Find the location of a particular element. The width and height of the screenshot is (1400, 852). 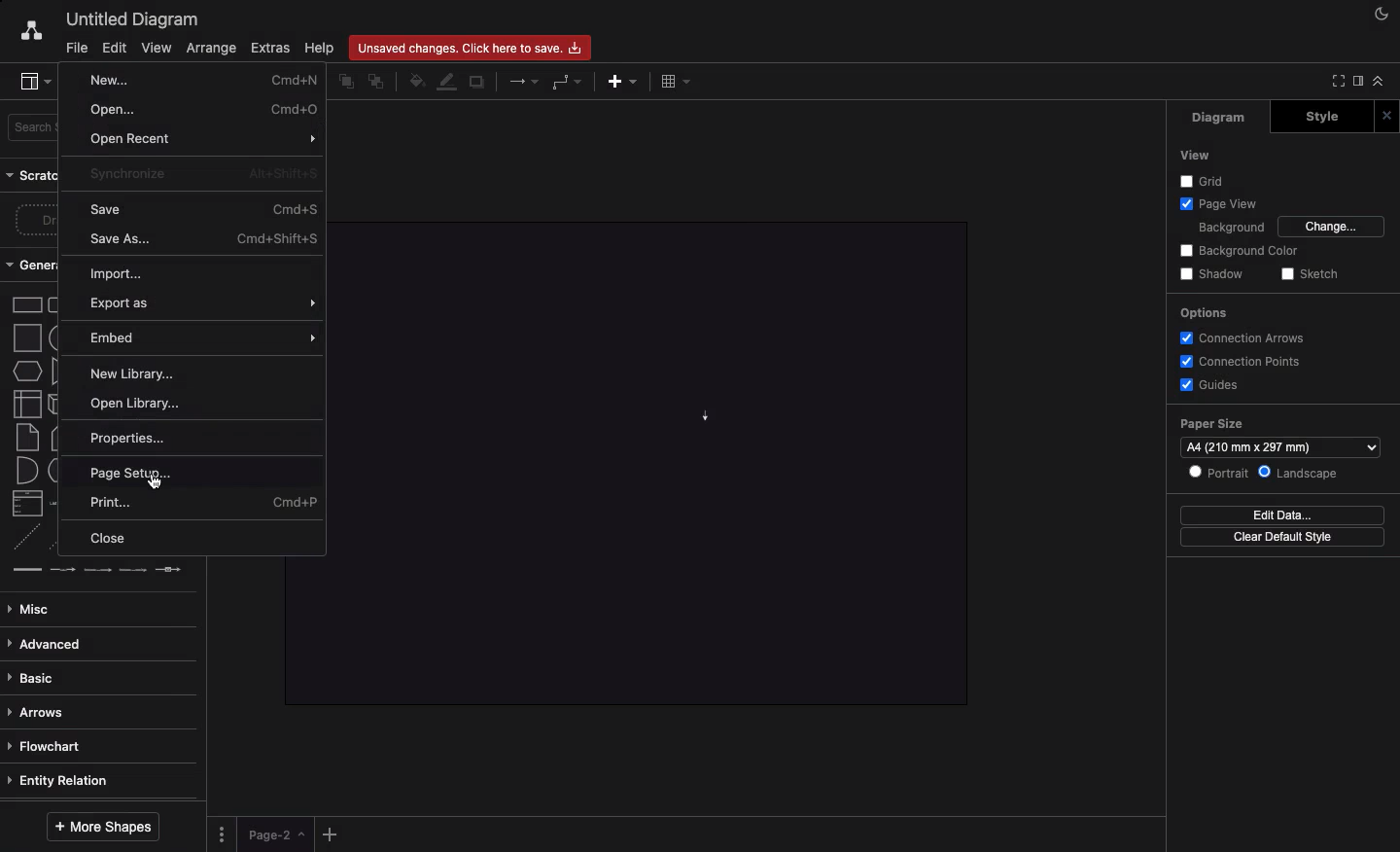

Scratchpad is located at coordinates (33, 175).